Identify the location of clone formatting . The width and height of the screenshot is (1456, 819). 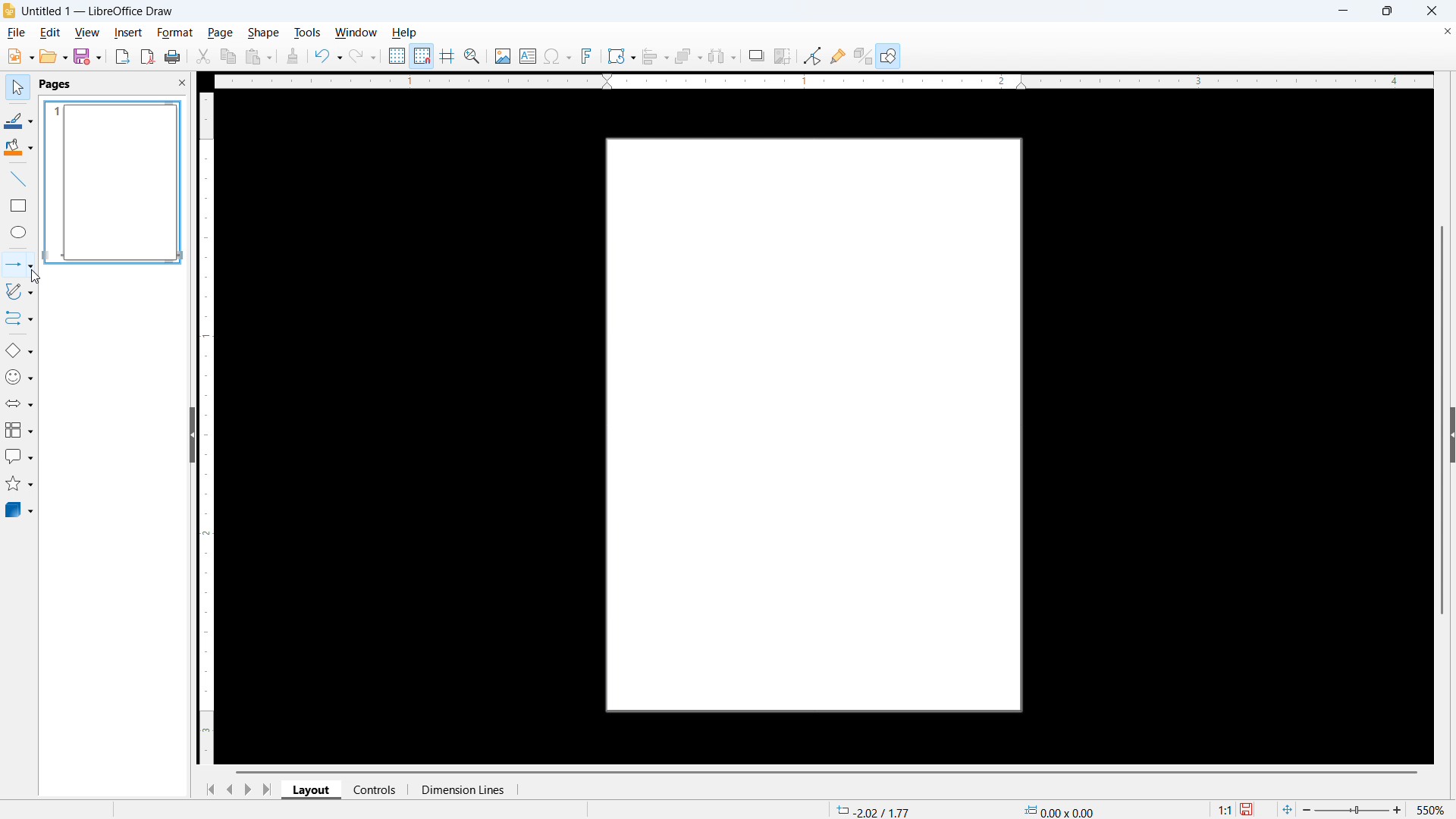
(293, 57).